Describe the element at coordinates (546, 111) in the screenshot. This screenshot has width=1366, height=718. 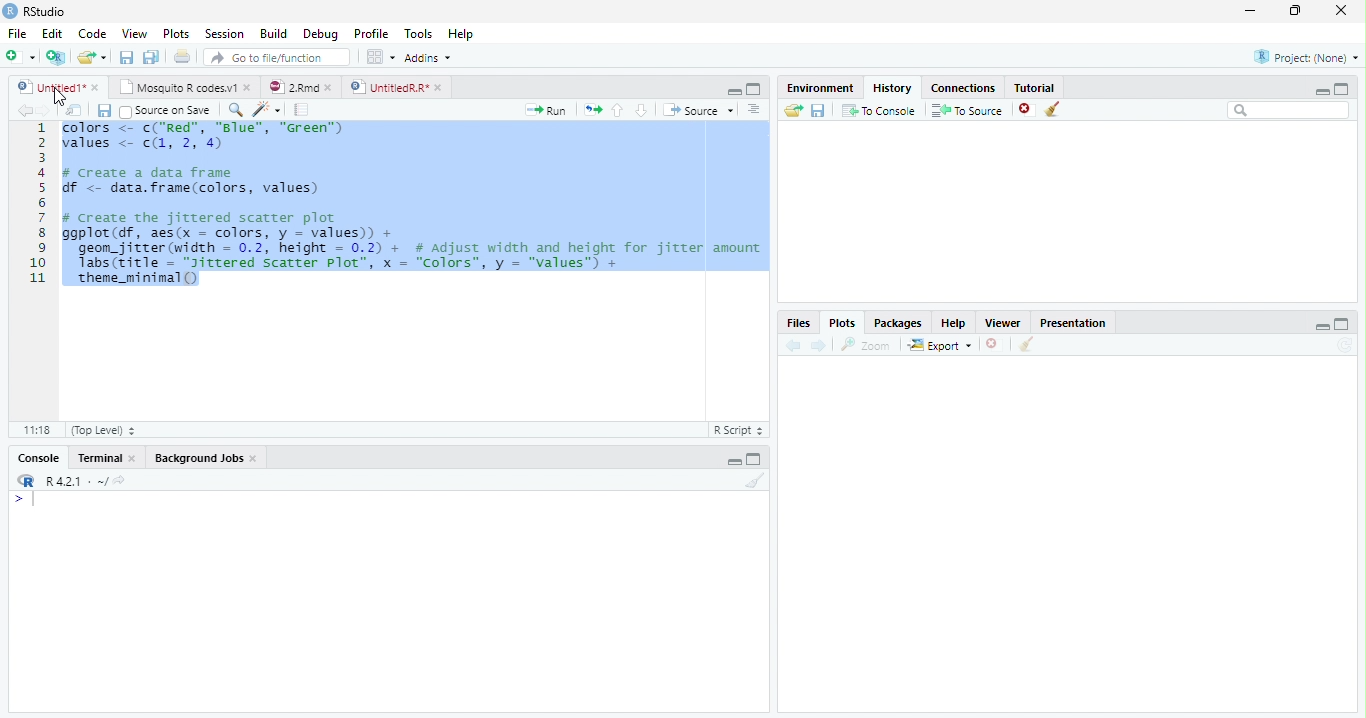
I see `Run` at that location.